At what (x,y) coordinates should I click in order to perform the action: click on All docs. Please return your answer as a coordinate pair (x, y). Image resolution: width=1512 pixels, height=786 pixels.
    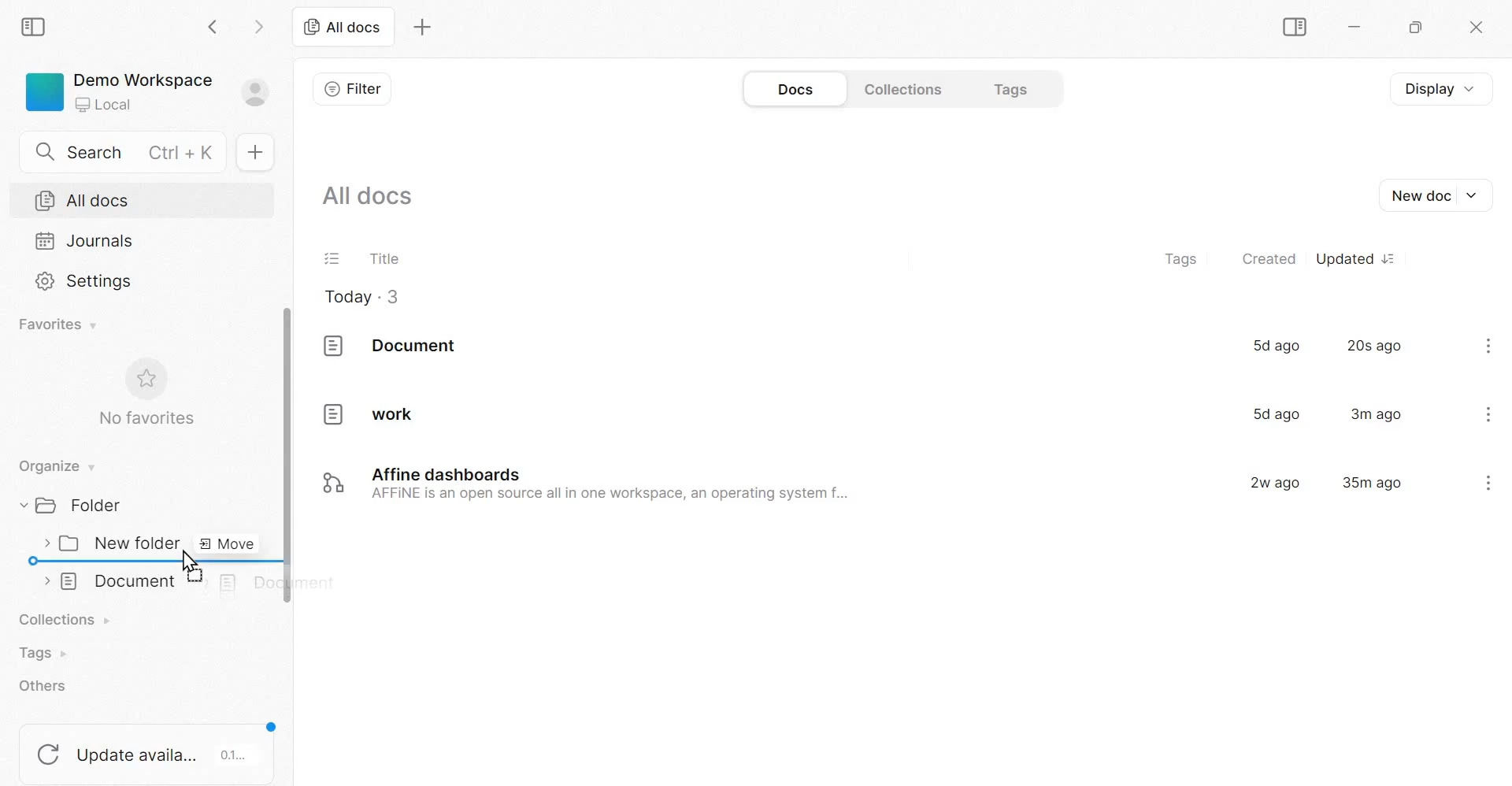
    Looking at the image, I should click on (370, 196).